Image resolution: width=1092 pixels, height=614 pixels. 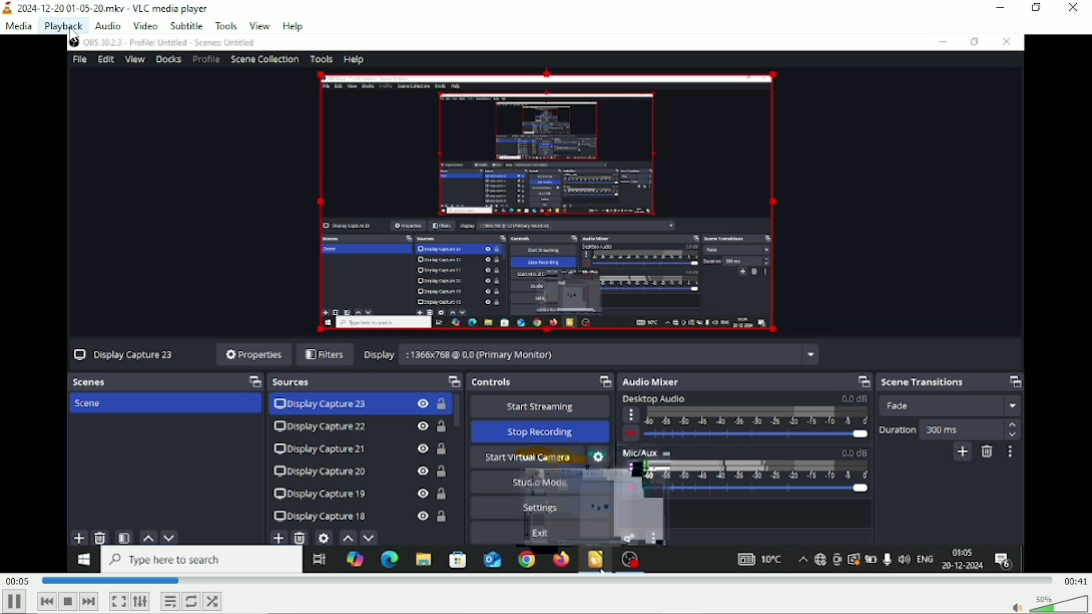 I want to click on  Volume, so click(x=1047, y=603).